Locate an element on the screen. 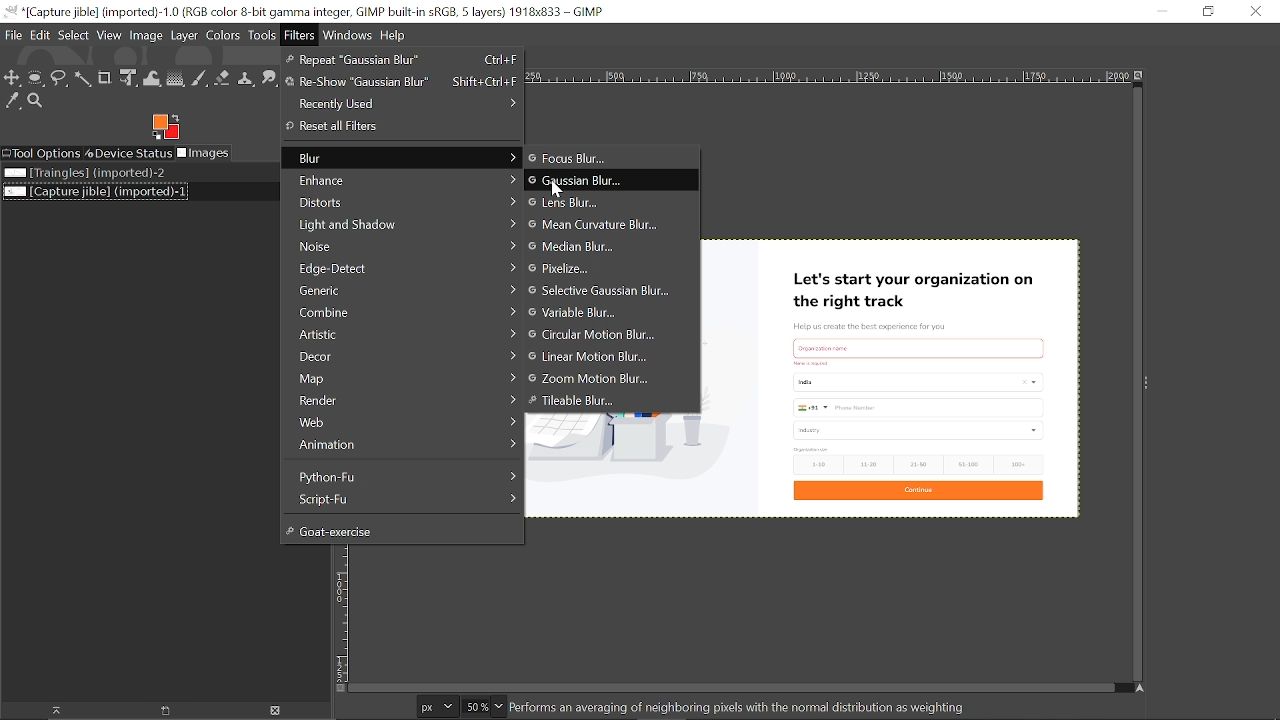 This screenshot has width=1280, height=720. Zoom Motion Blur is located at coordinates (604, 379).